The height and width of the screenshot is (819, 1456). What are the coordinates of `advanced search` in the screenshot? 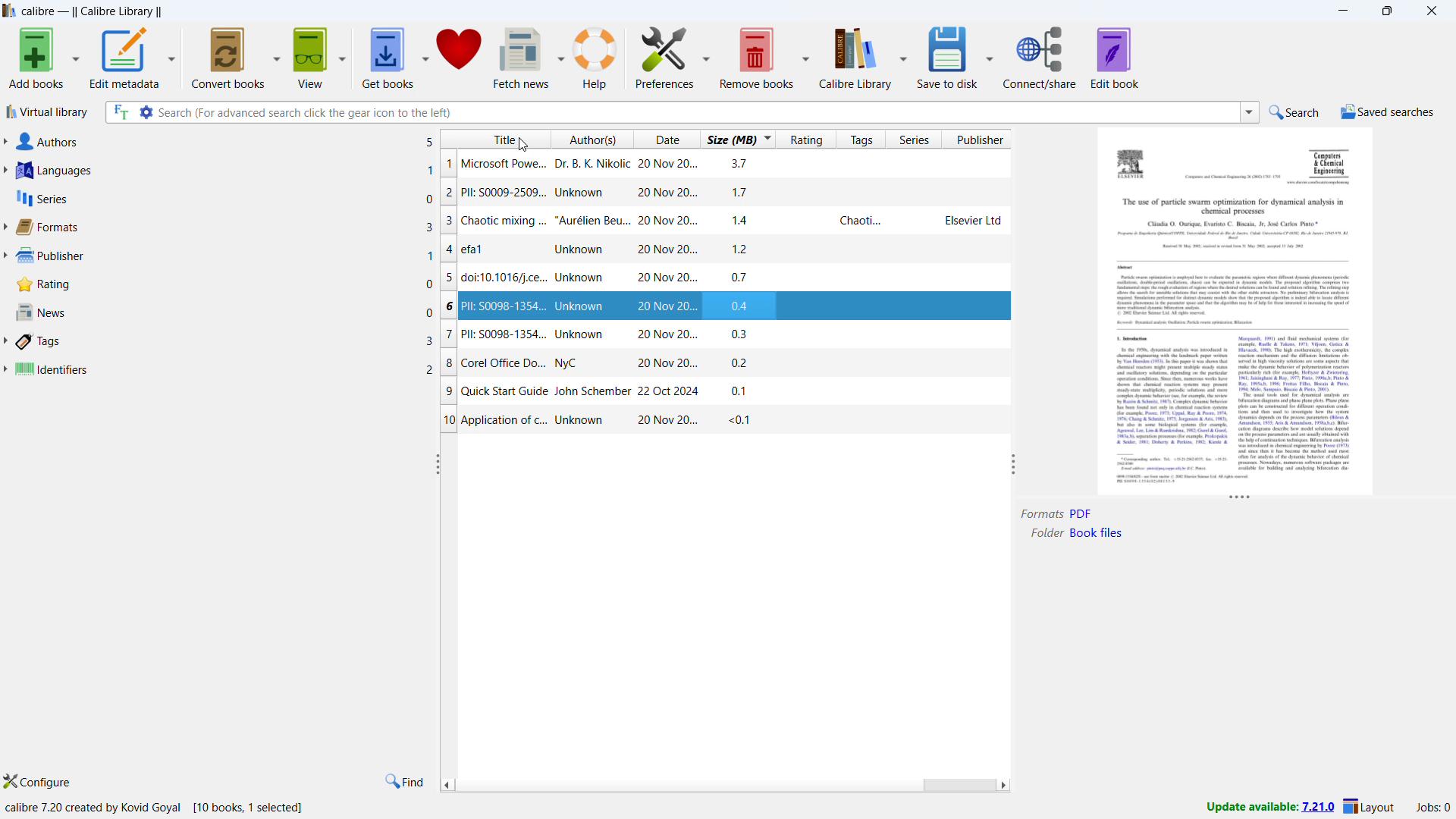 It's located at (146, 112).